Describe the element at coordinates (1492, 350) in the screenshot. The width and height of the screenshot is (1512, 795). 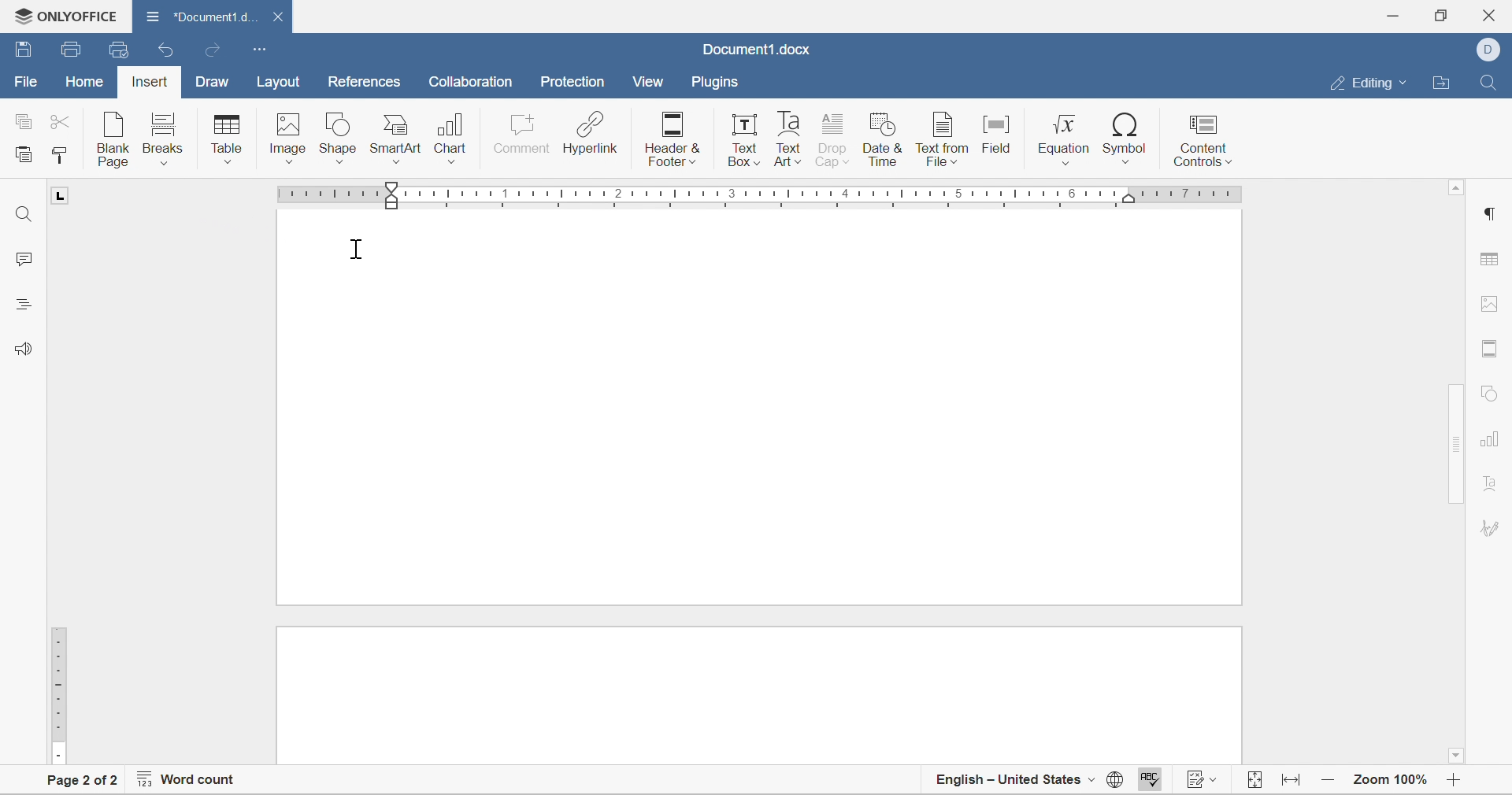
I see `Header and footer settings` at that location.